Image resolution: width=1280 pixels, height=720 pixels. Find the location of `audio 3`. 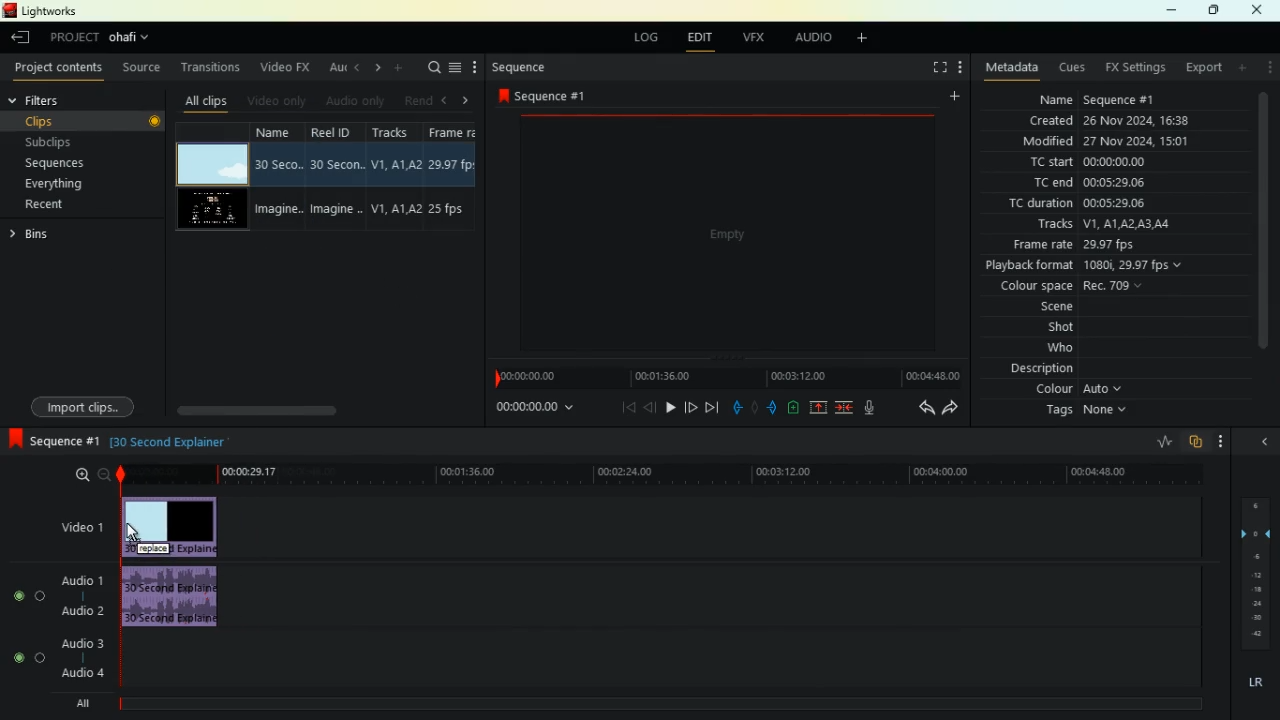

audio 3 is located at coordinates (81, 643).